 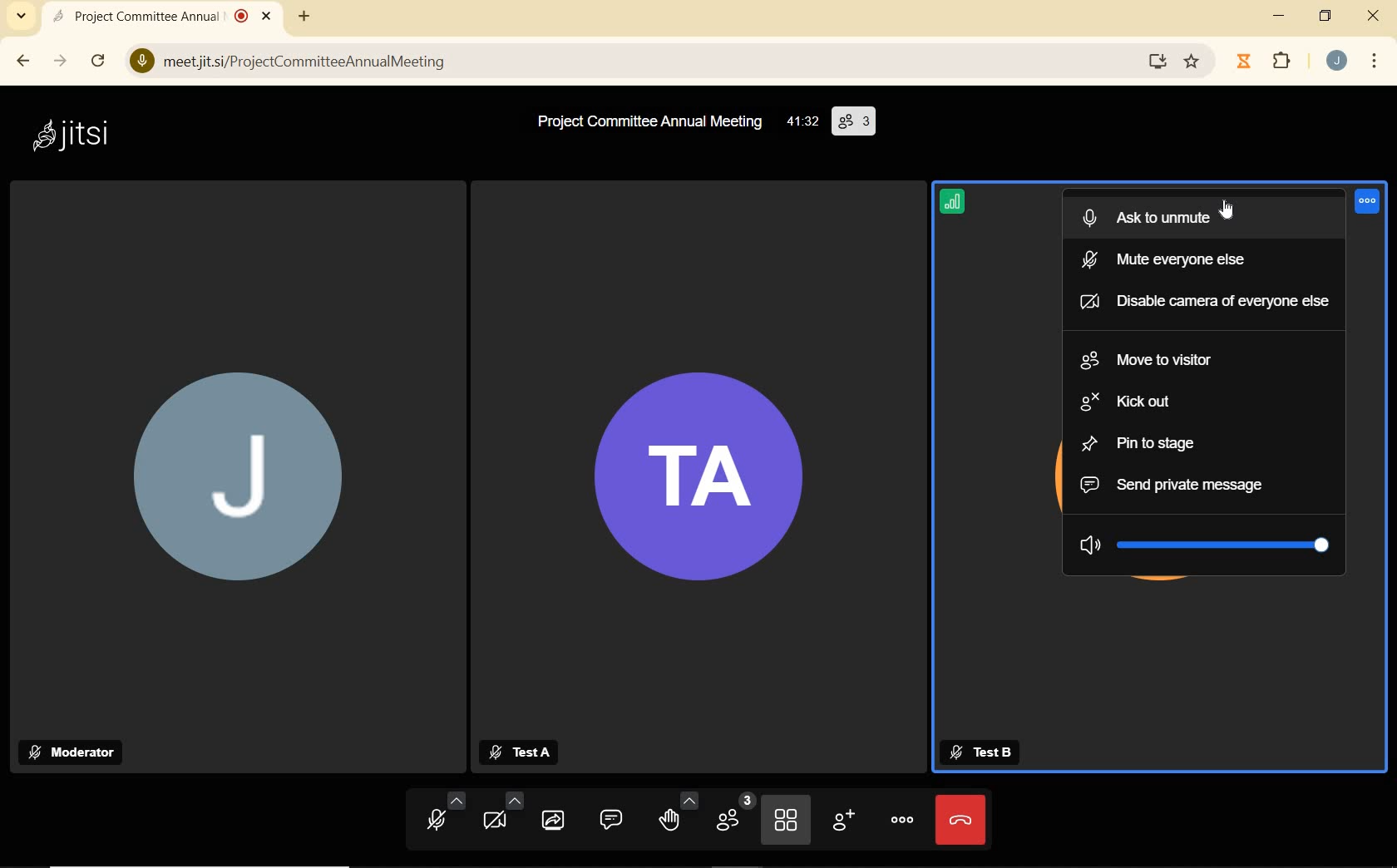 What do you see at coordinates (698, 481) in the screenshot?
I see `TA` at bounding box center [698, 481].